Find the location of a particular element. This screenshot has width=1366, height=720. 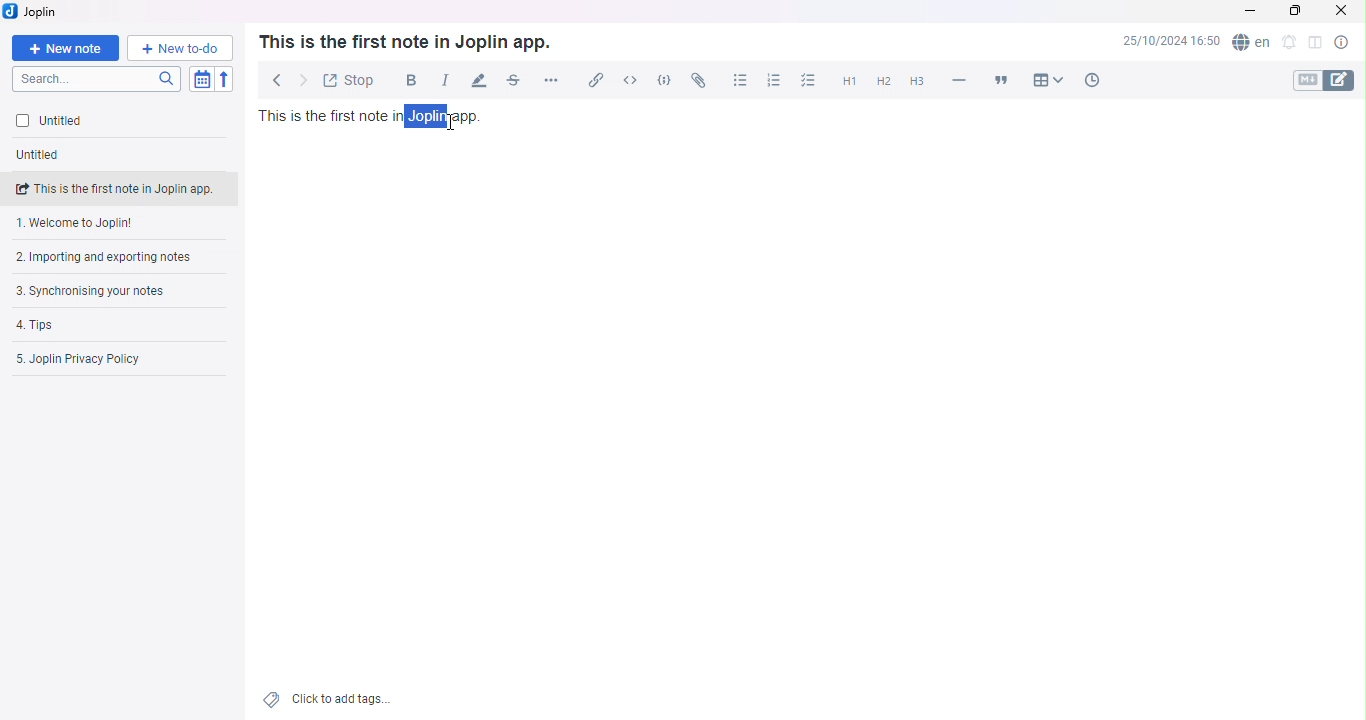

Untitled is located at coordinates (94, 122).